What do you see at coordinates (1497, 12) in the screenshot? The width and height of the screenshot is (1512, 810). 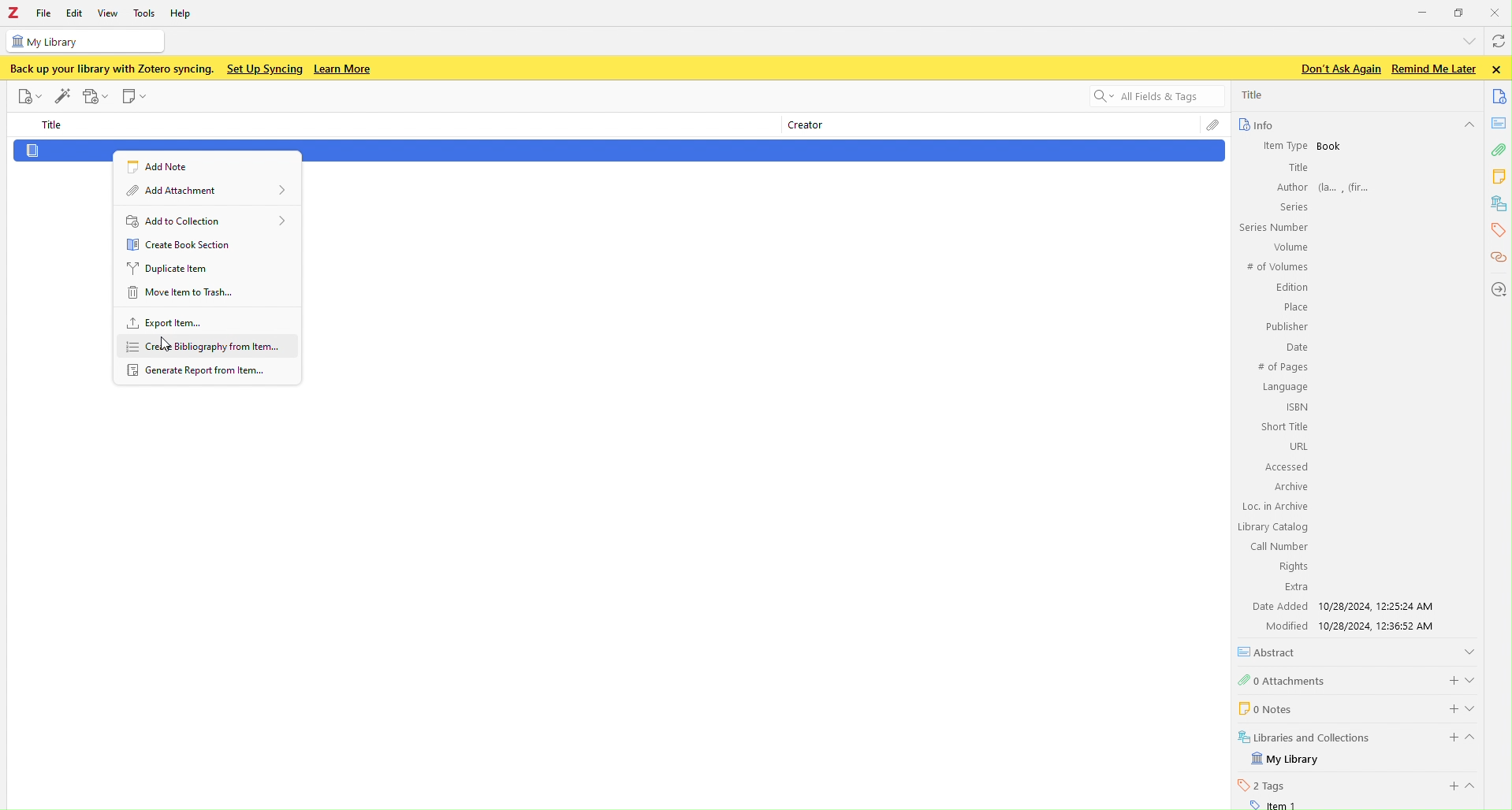 I see `Close` at bounding box center [1497, 12].